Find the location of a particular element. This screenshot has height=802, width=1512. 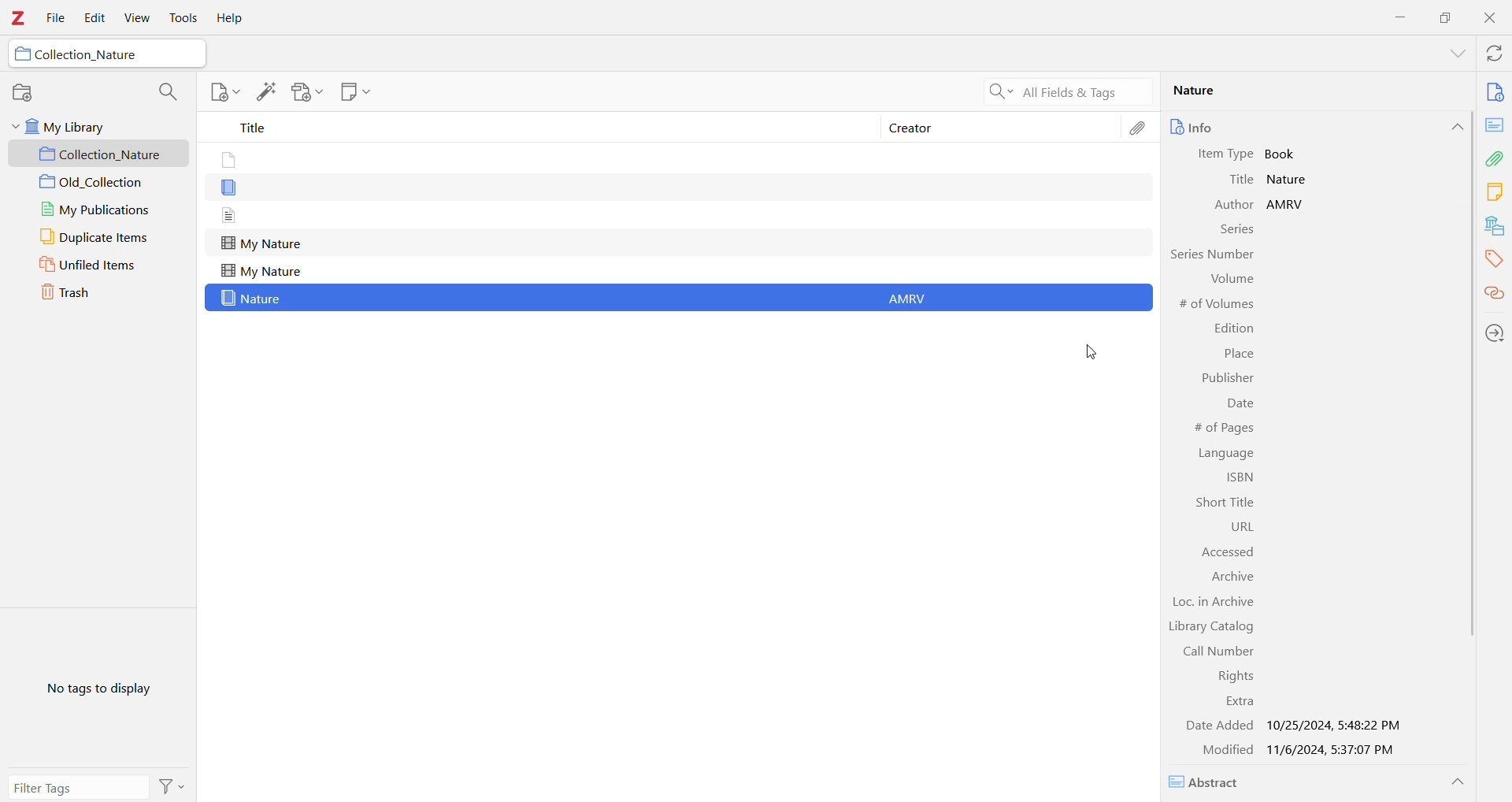

Publisher is located at coordinates (1225, 379).